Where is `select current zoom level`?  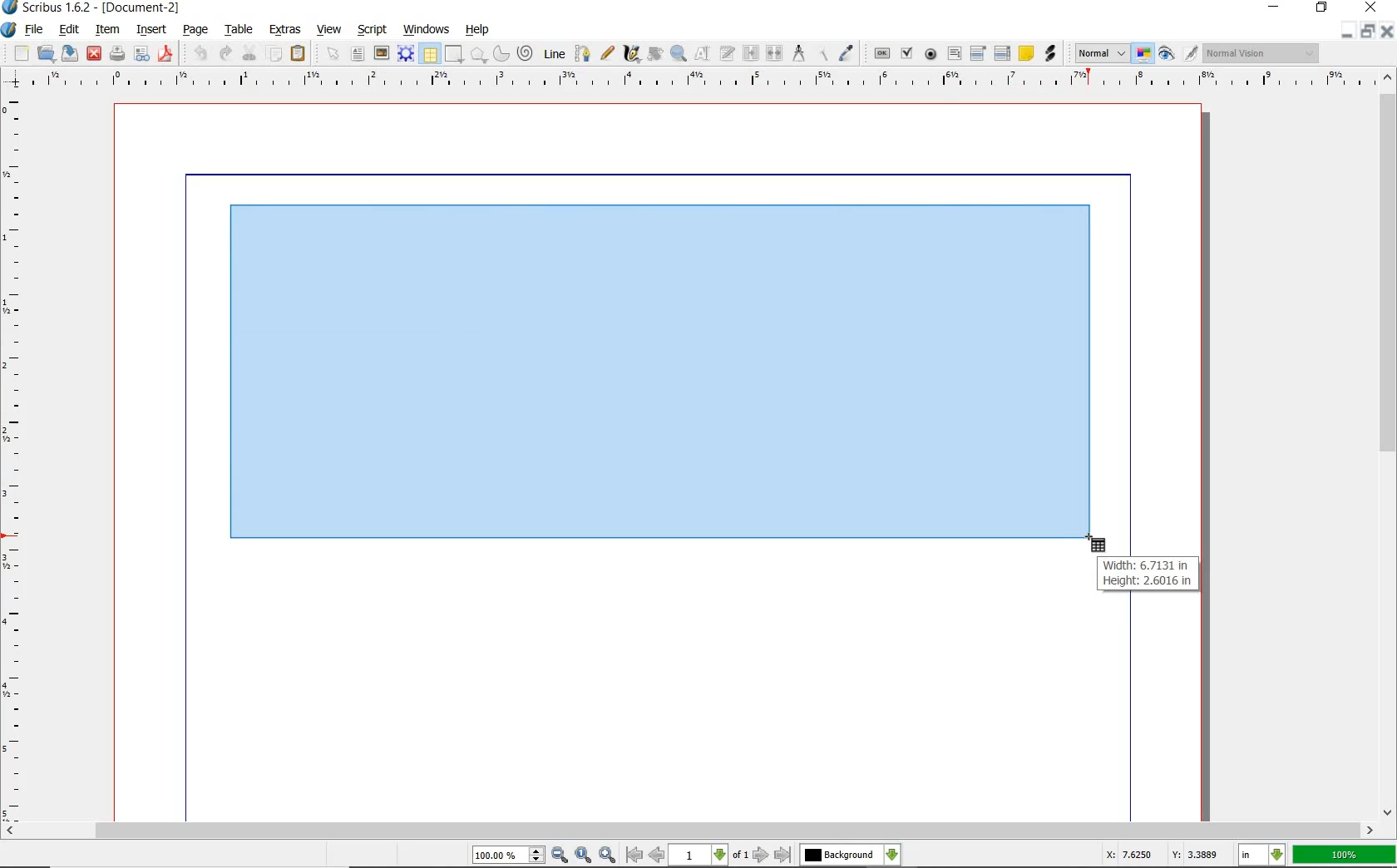 select current zoom level is located at coordinates (508, 856).